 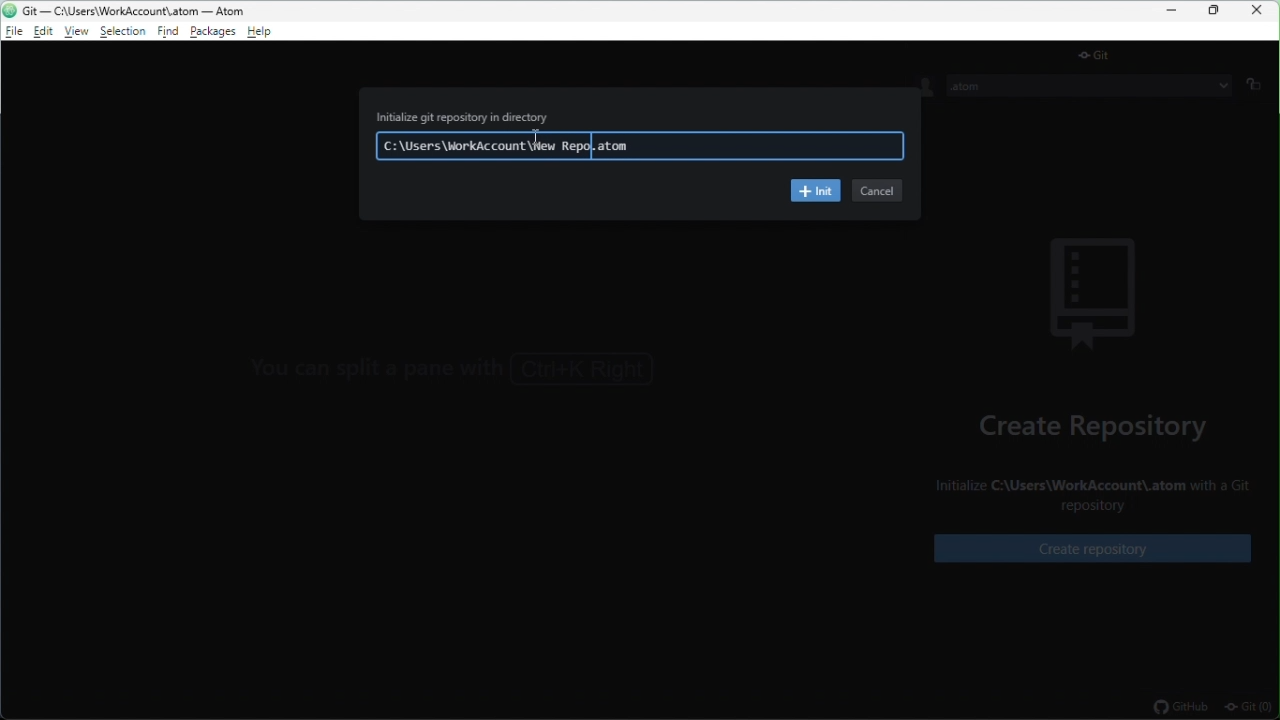 I want to click on github, so click(x=1180, y=709).